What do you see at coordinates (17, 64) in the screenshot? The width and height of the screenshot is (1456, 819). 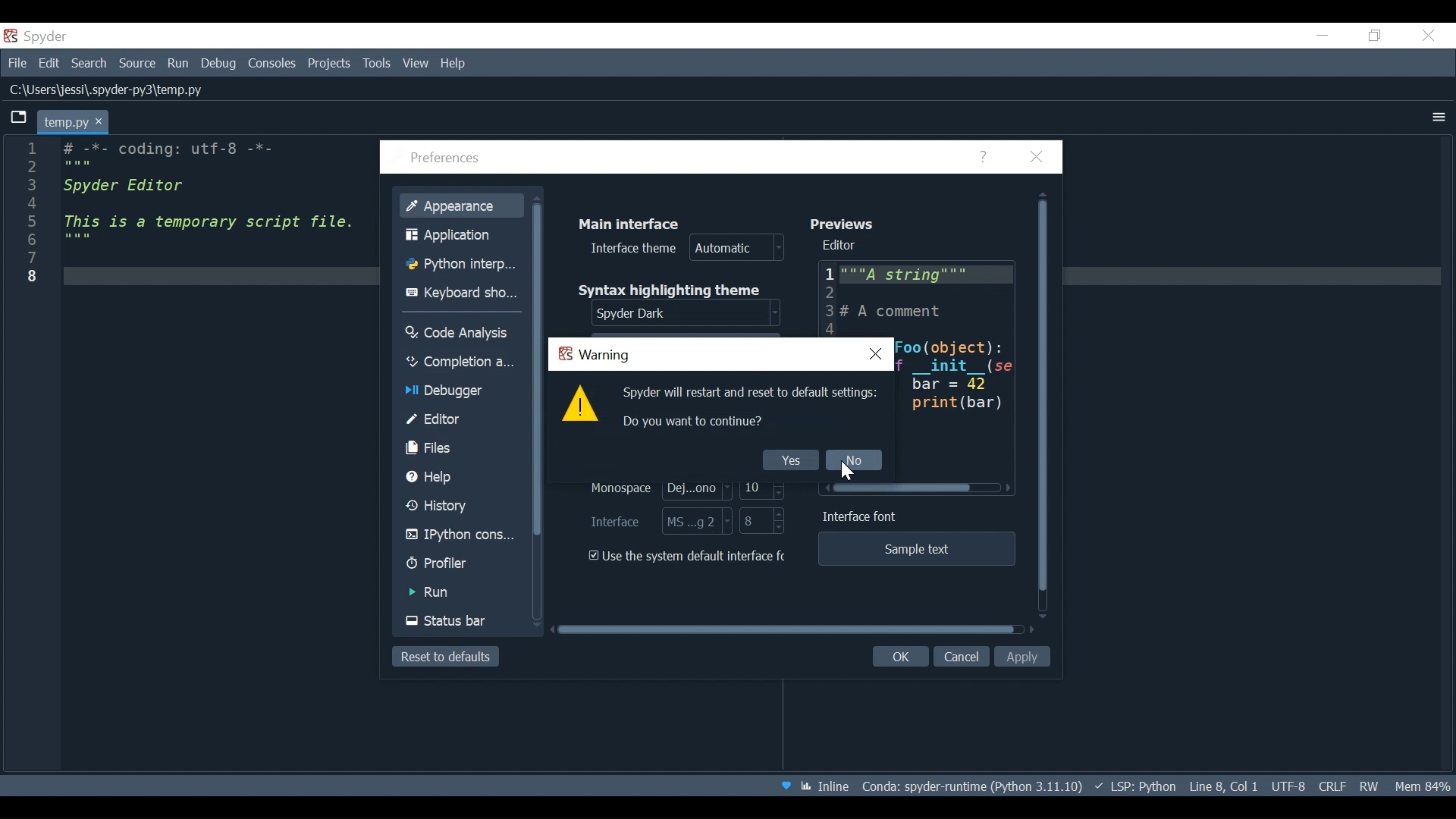 I see `File` at bounding box center [17, 64].